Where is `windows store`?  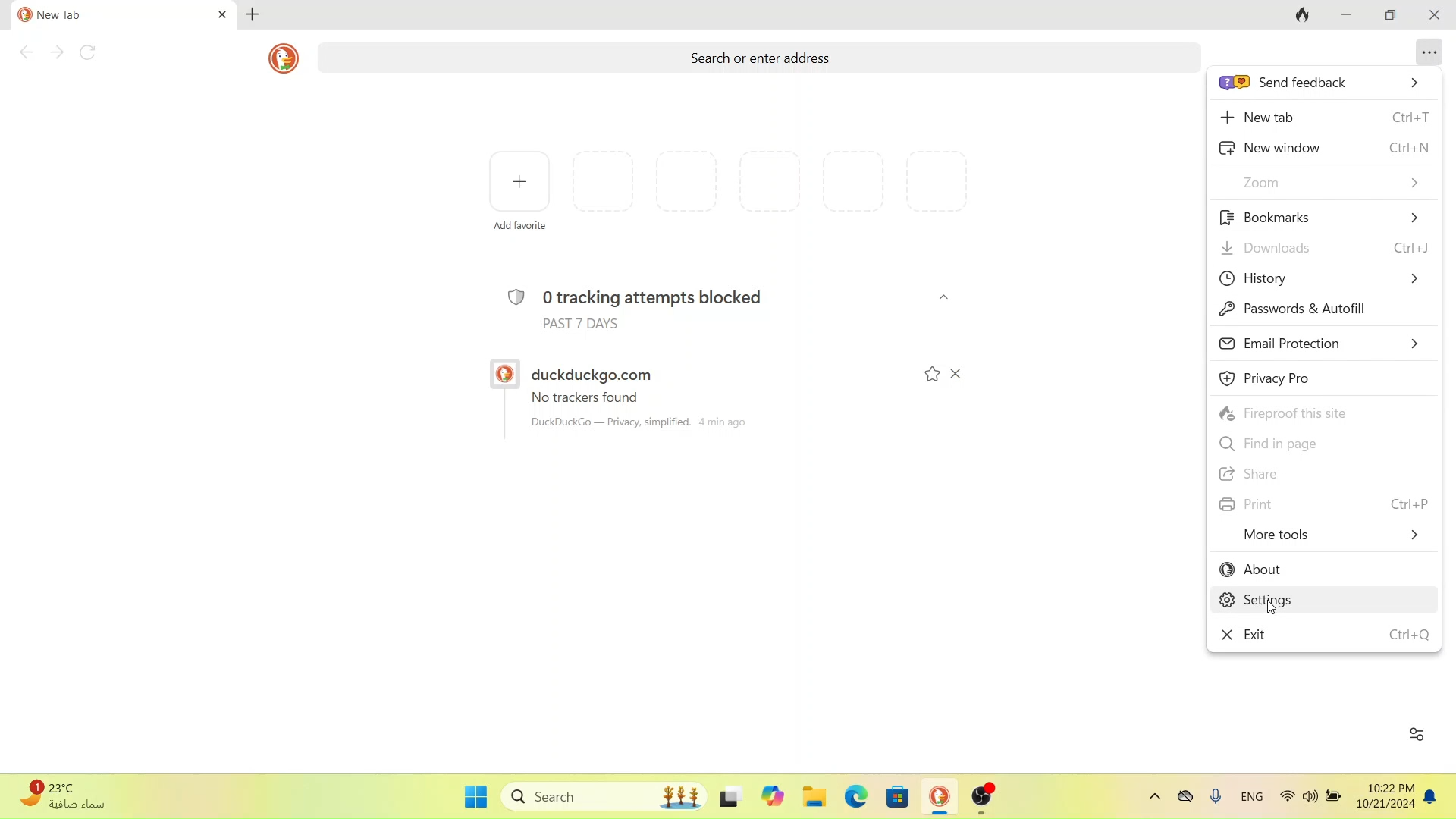
windows store is located at coordinates (897, 800).